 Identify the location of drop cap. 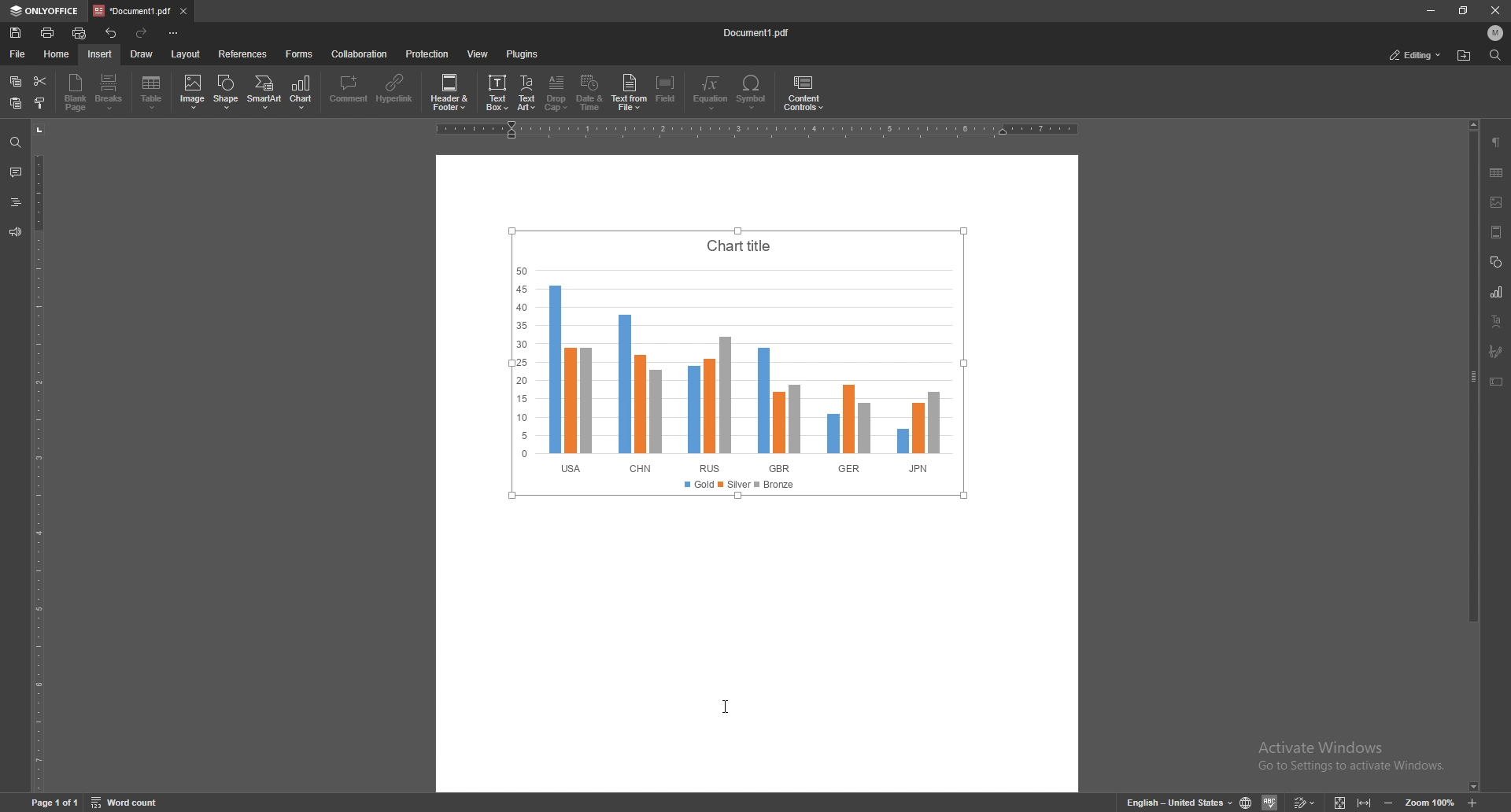
(556, 94).